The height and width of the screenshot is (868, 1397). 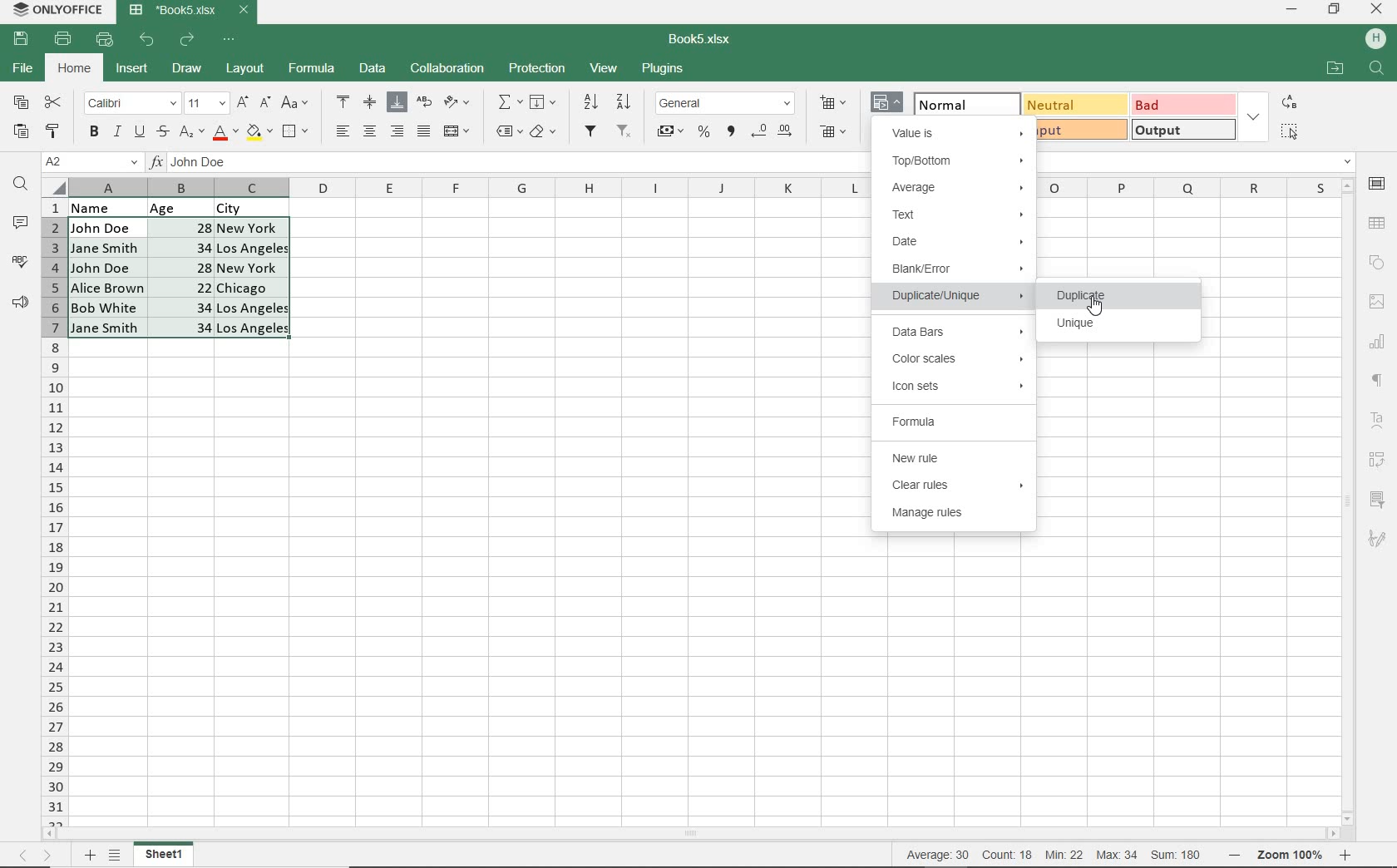 I want to click on ALIGN MIDDLE, so click(x=369, y=101).